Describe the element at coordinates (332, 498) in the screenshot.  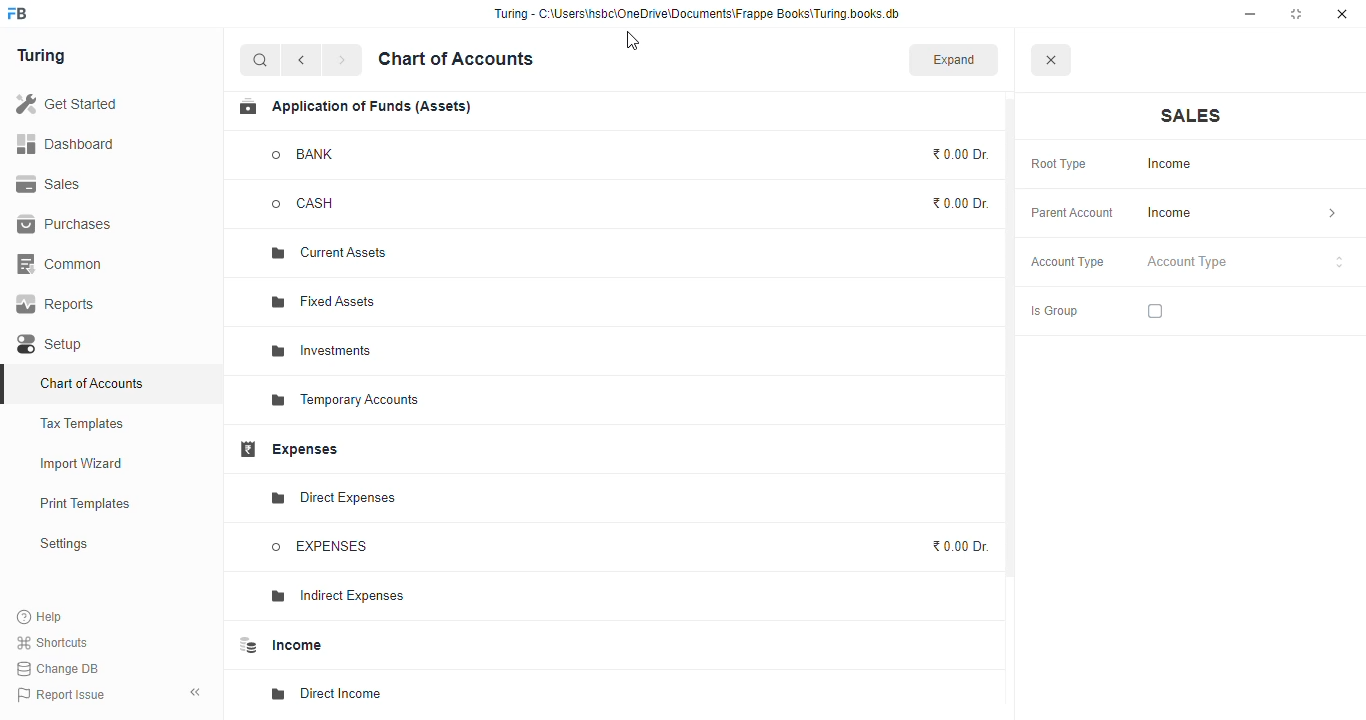
I see `direct expenses` at that location.